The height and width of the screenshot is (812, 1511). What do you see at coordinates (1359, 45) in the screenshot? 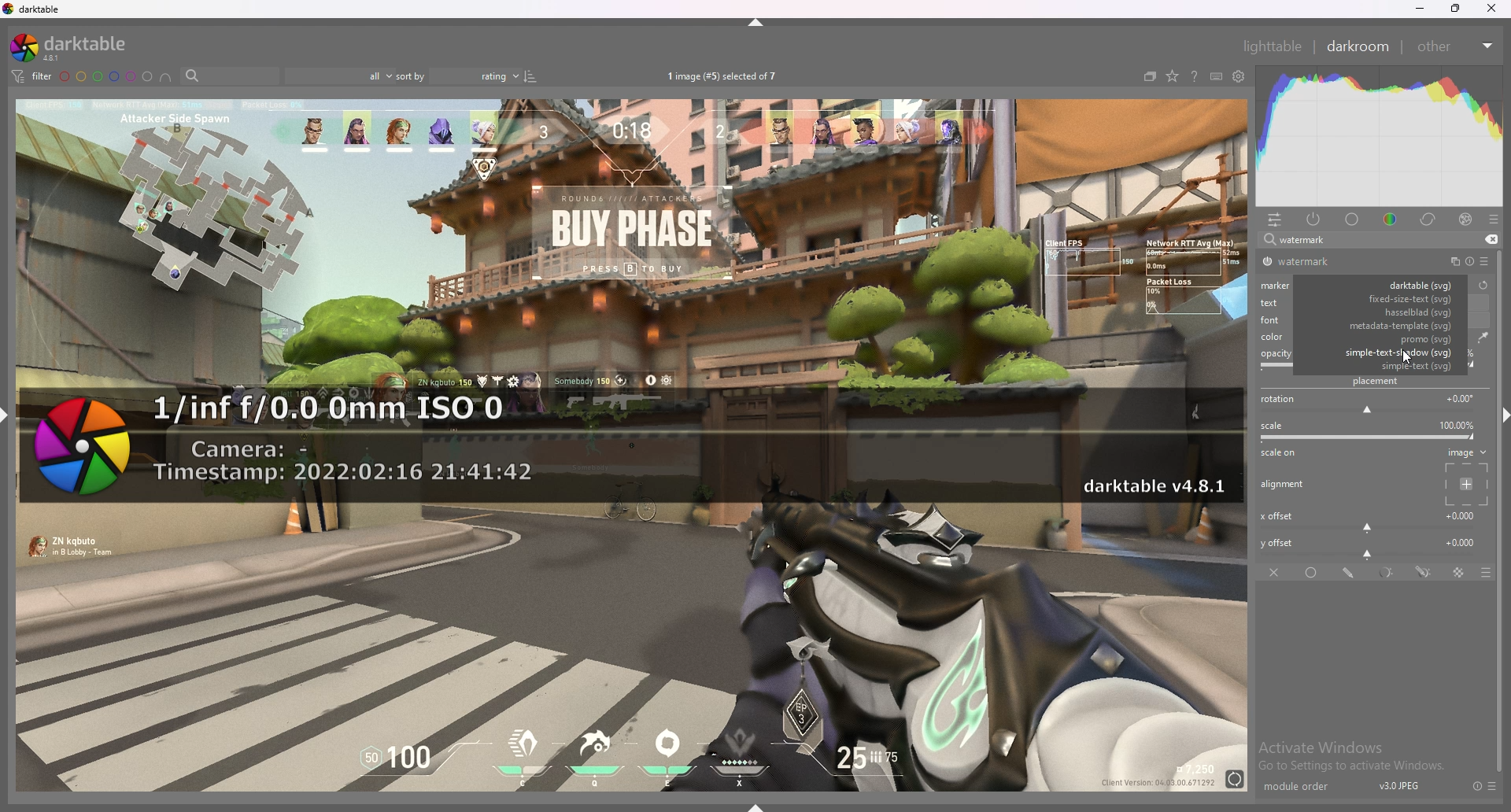
I see `darkroom` at bounding box center [1359, 45].